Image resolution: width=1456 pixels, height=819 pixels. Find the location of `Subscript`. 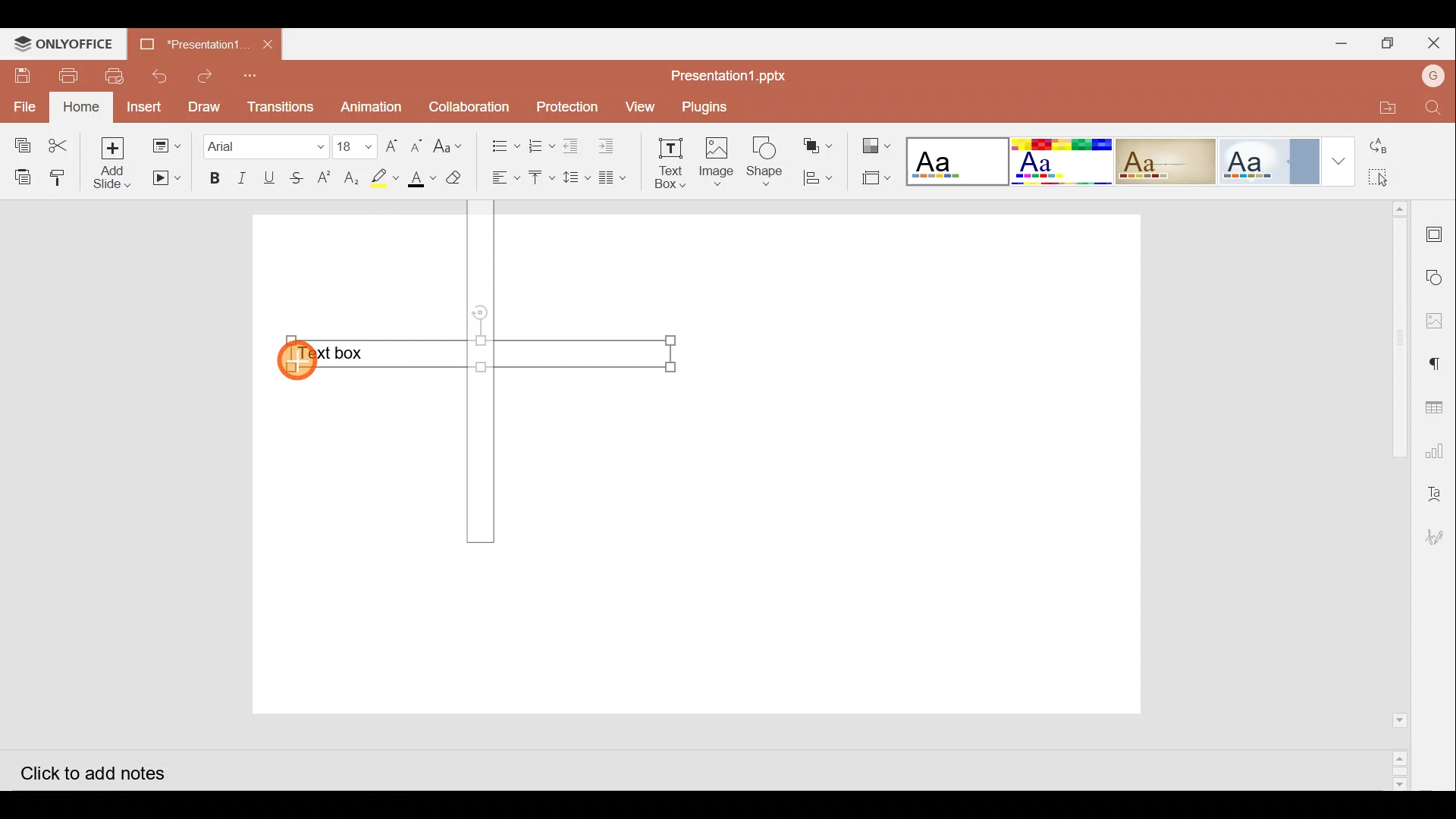

Subscript is located at coordinates (352, 180).